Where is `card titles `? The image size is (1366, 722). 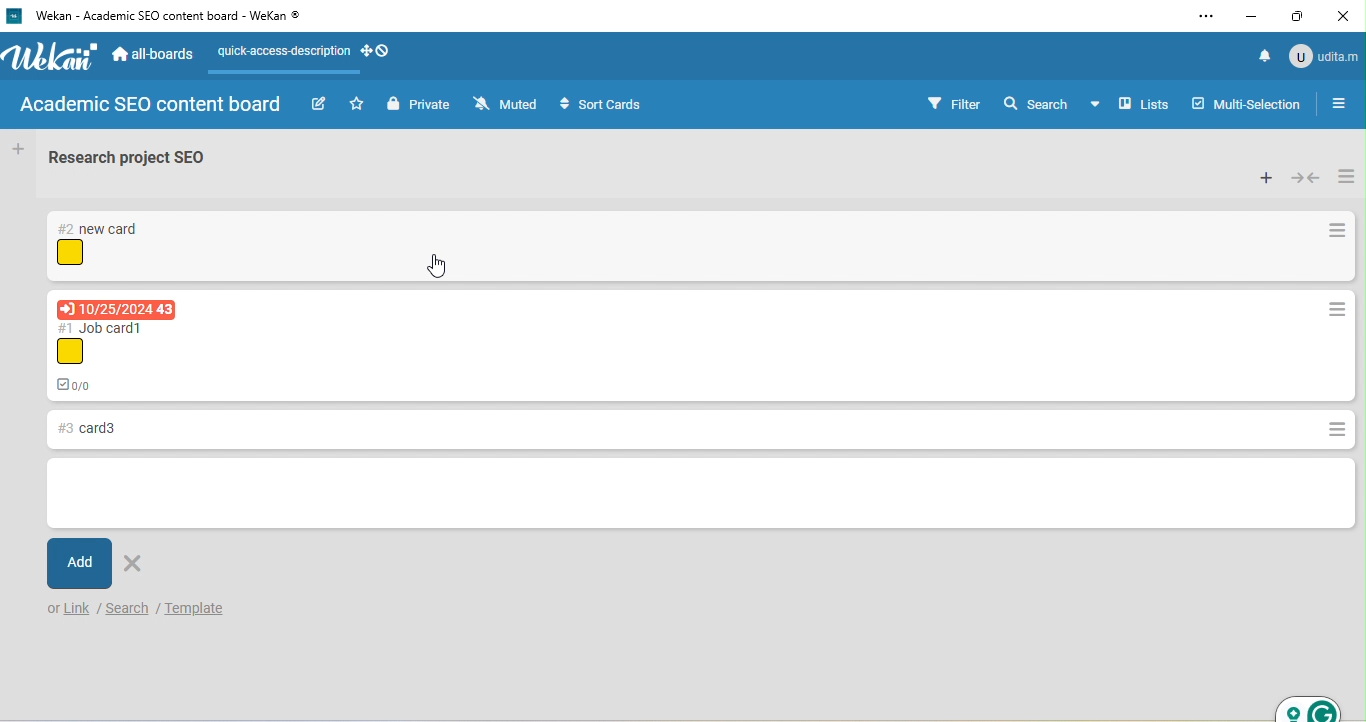 card titles  is located at coordinates (100, 229).